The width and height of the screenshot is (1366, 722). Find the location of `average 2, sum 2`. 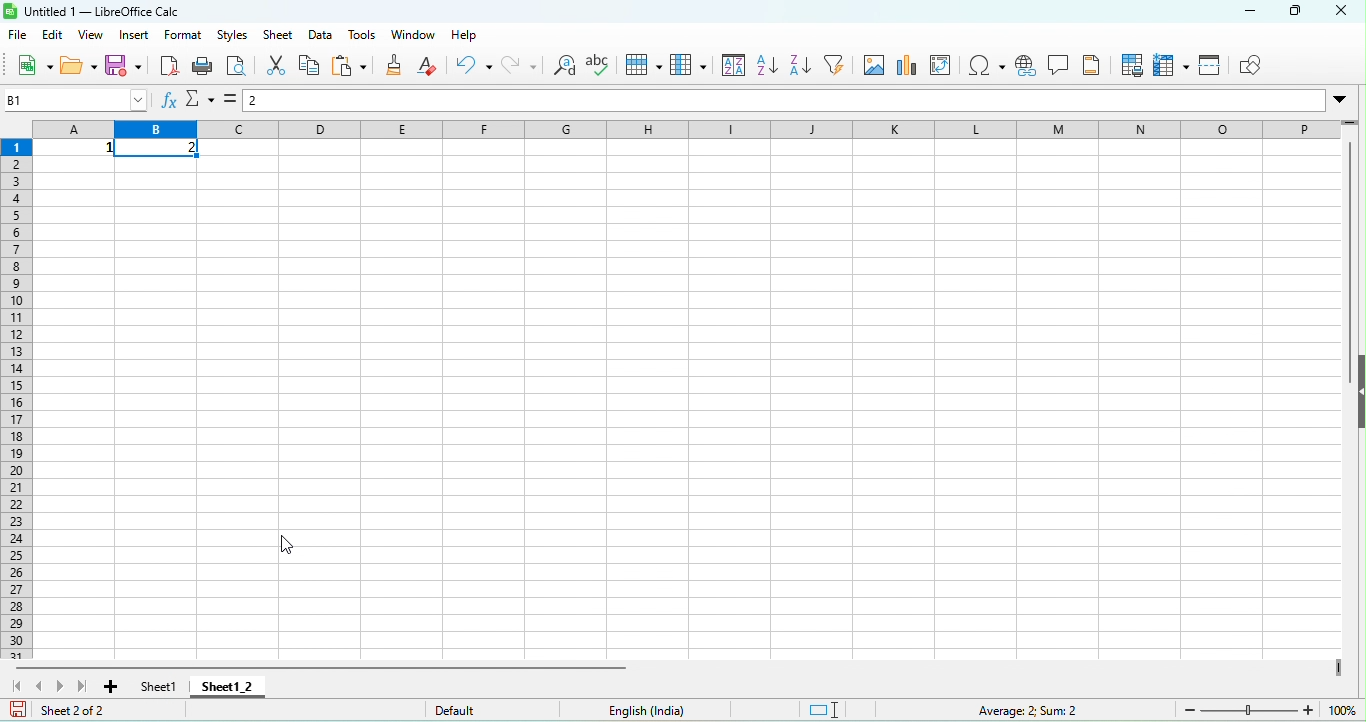

average 2, sum 2 is located at coordinates (1039, 710).